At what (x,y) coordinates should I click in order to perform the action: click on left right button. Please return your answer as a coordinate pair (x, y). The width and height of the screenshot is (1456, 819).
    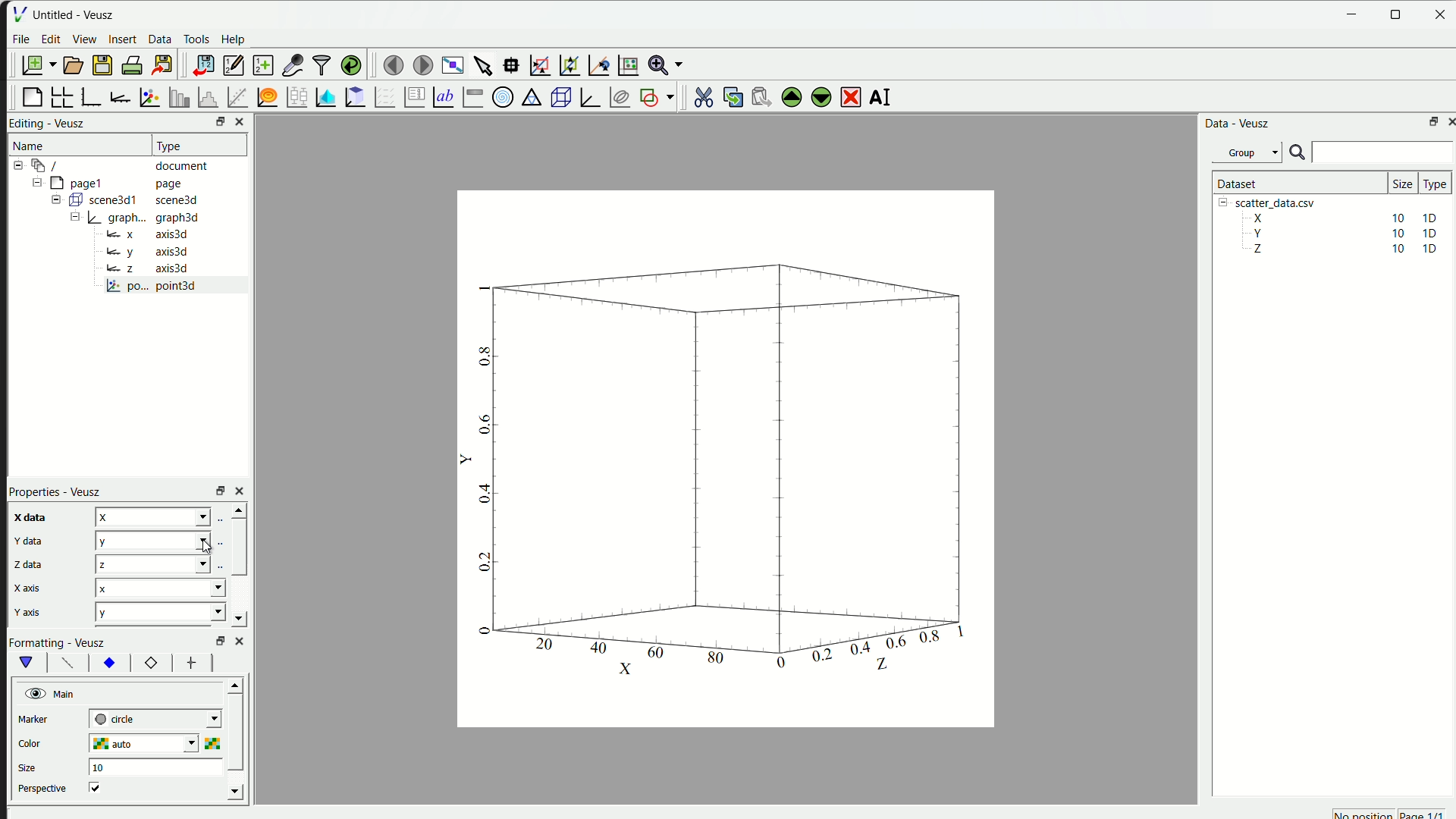
    Looking at the image, I should click on (234, 663).